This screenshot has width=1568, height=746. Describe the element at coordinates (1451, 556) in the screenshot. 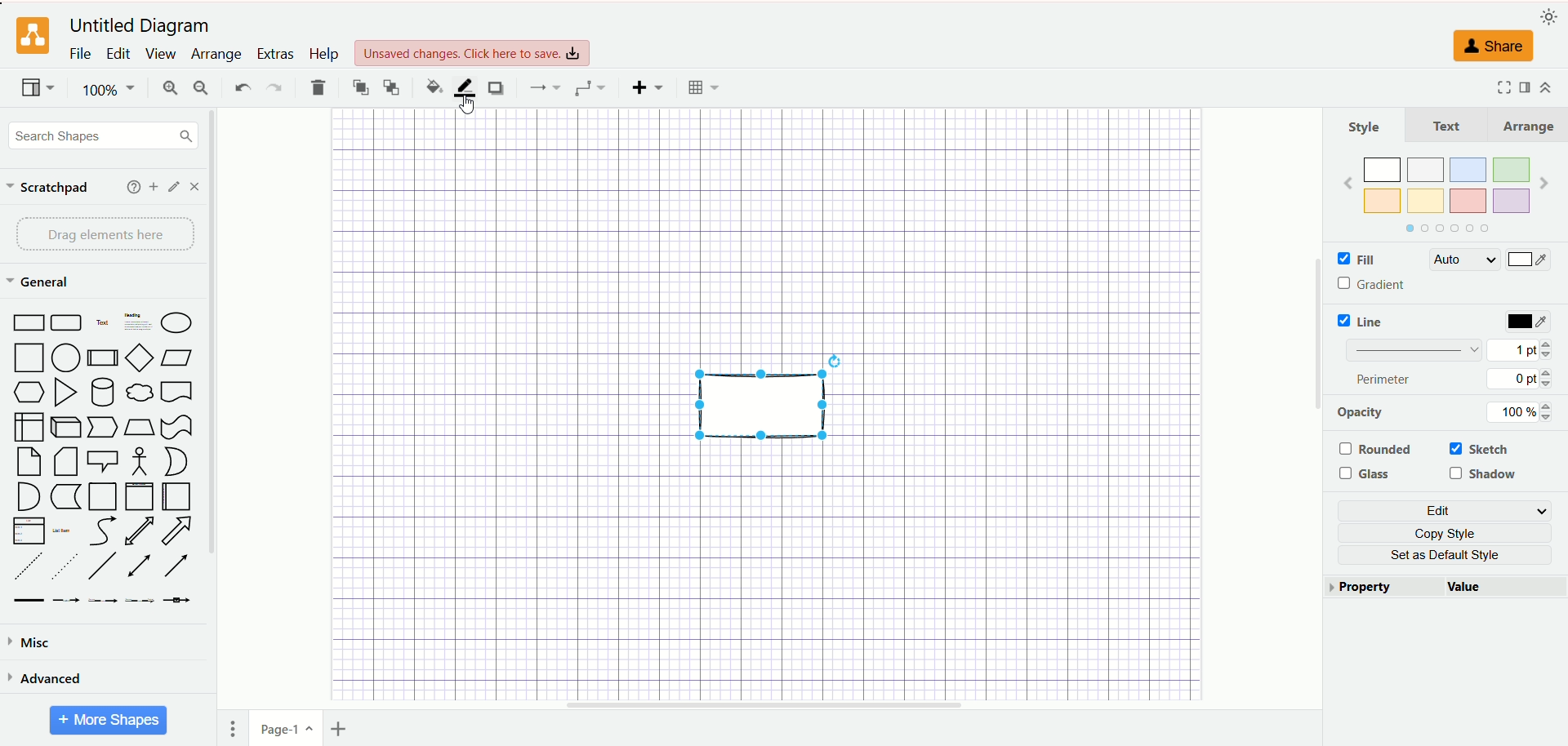

I see `set as default style` at that location.